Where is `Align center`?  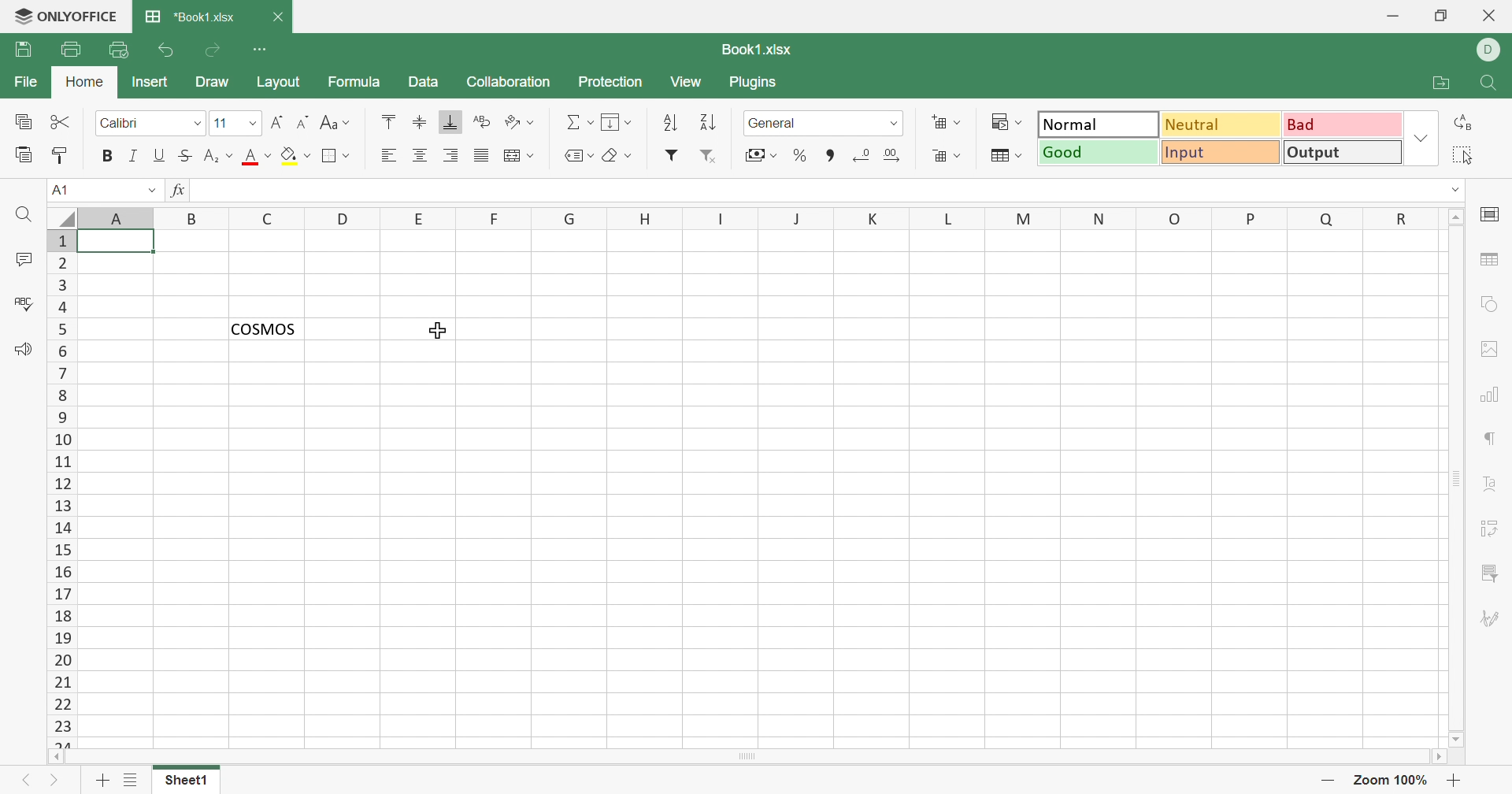 Align center is located at coordinates (420, 157).